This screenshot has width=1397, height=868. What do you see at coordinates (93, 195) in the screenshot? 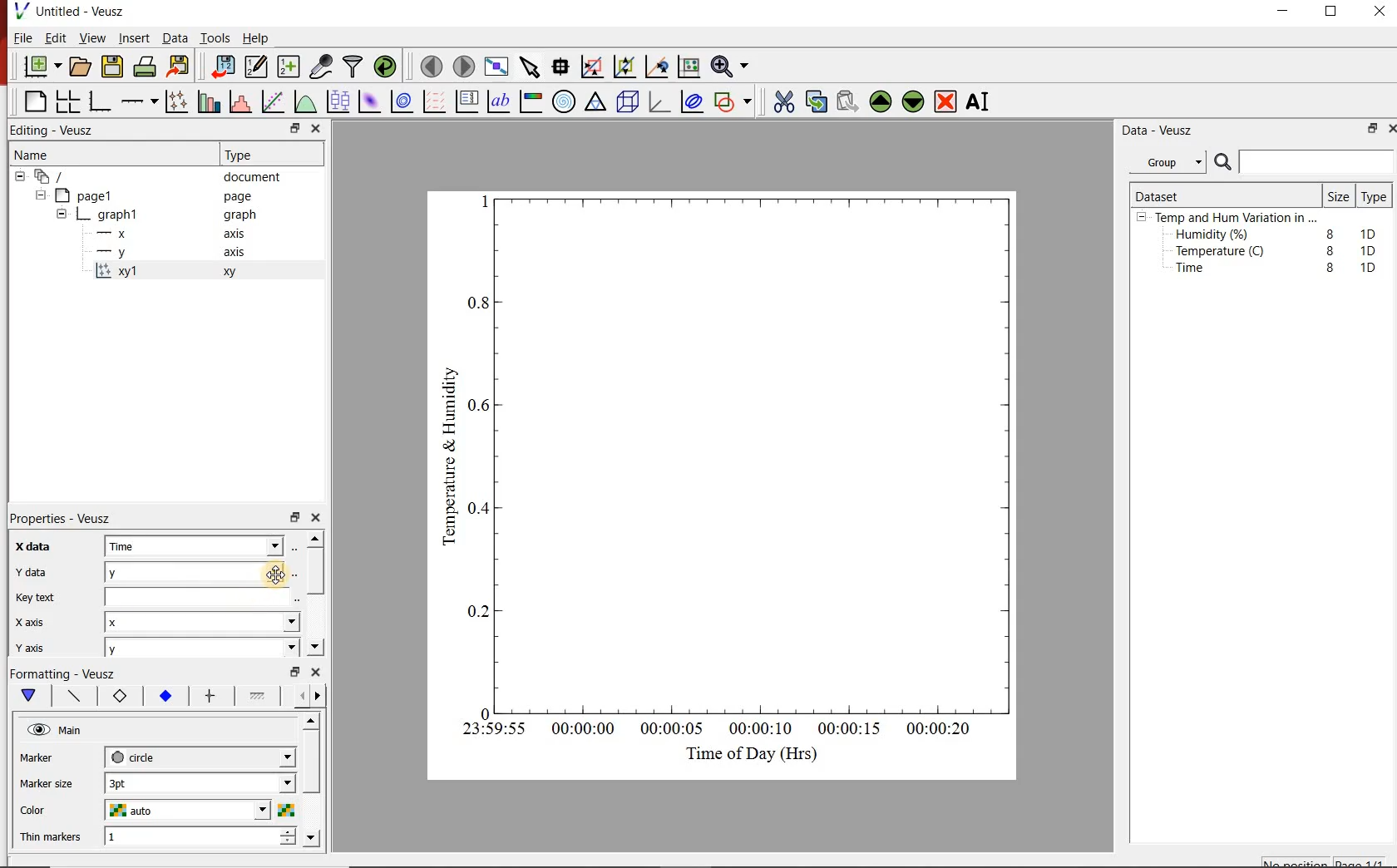
I see `page1` at bounding box center [93, 195].